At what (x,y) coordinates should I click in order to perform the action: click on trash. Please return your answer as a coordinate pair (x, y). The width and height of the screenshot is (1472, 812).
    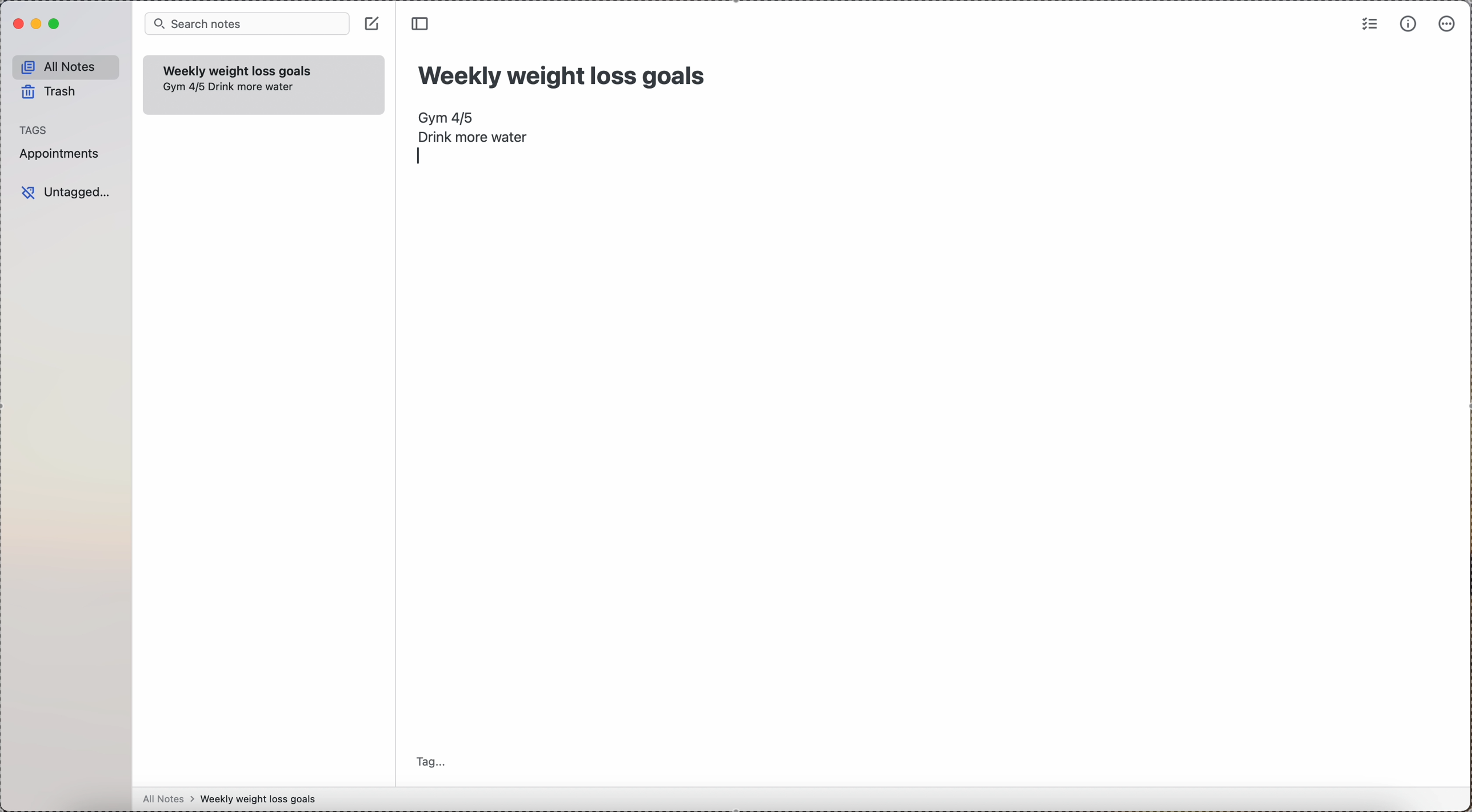
    Looking at the image, I should click on (49, 91).